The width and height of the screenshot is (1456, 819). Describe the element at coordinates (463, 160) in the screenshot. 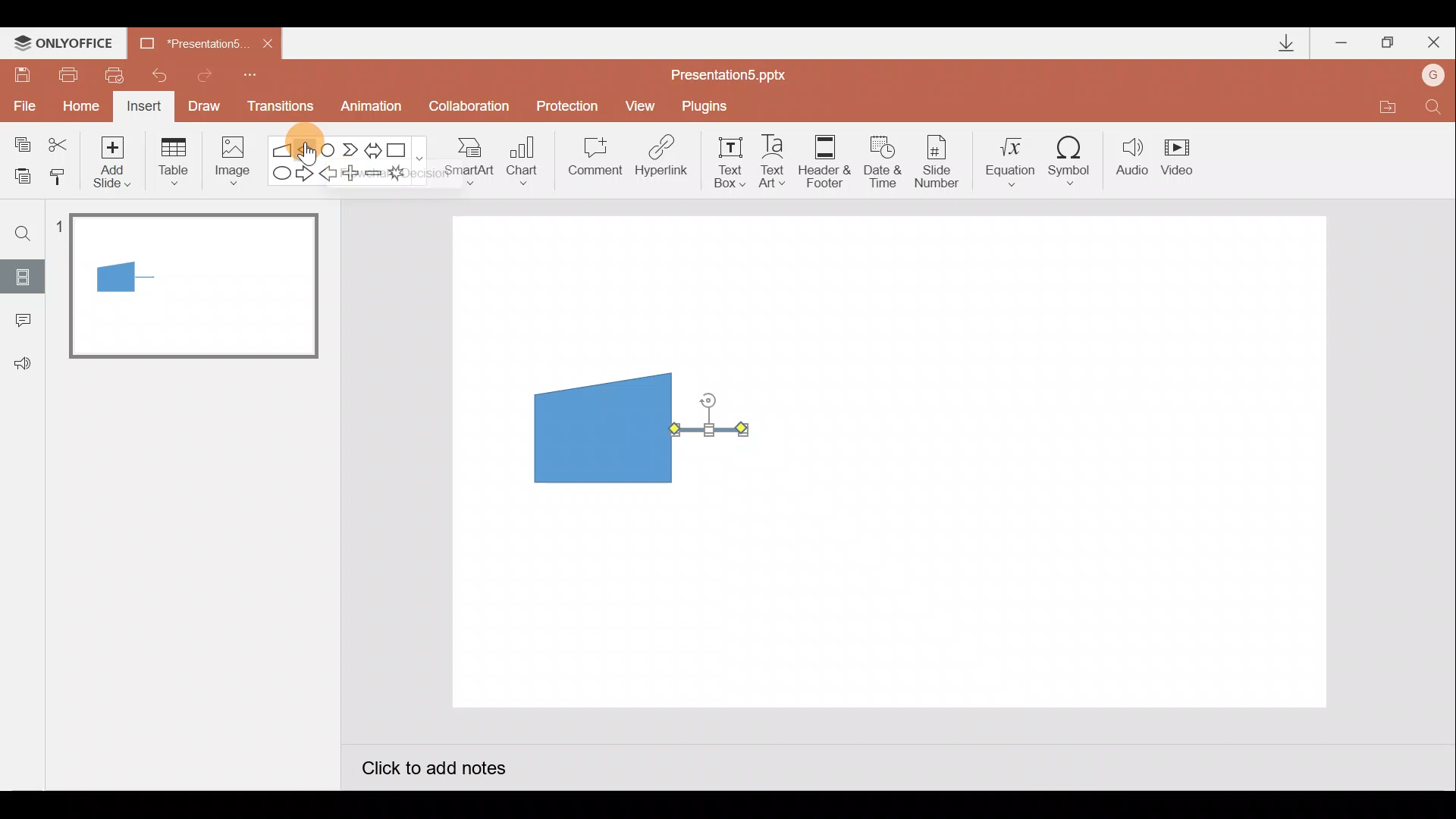

I see `SmartArt` at that location.